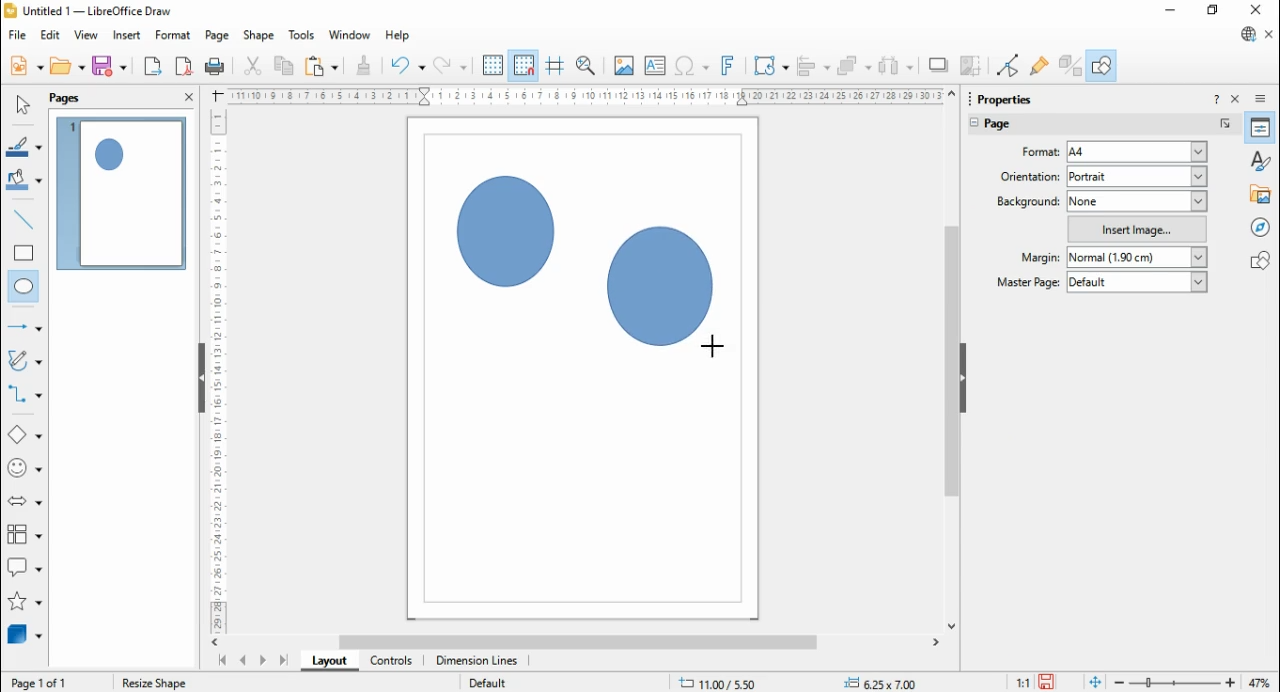  Describe the element at coordinates (952, 359) in the screenshot. I see `scroll bar` at that location.